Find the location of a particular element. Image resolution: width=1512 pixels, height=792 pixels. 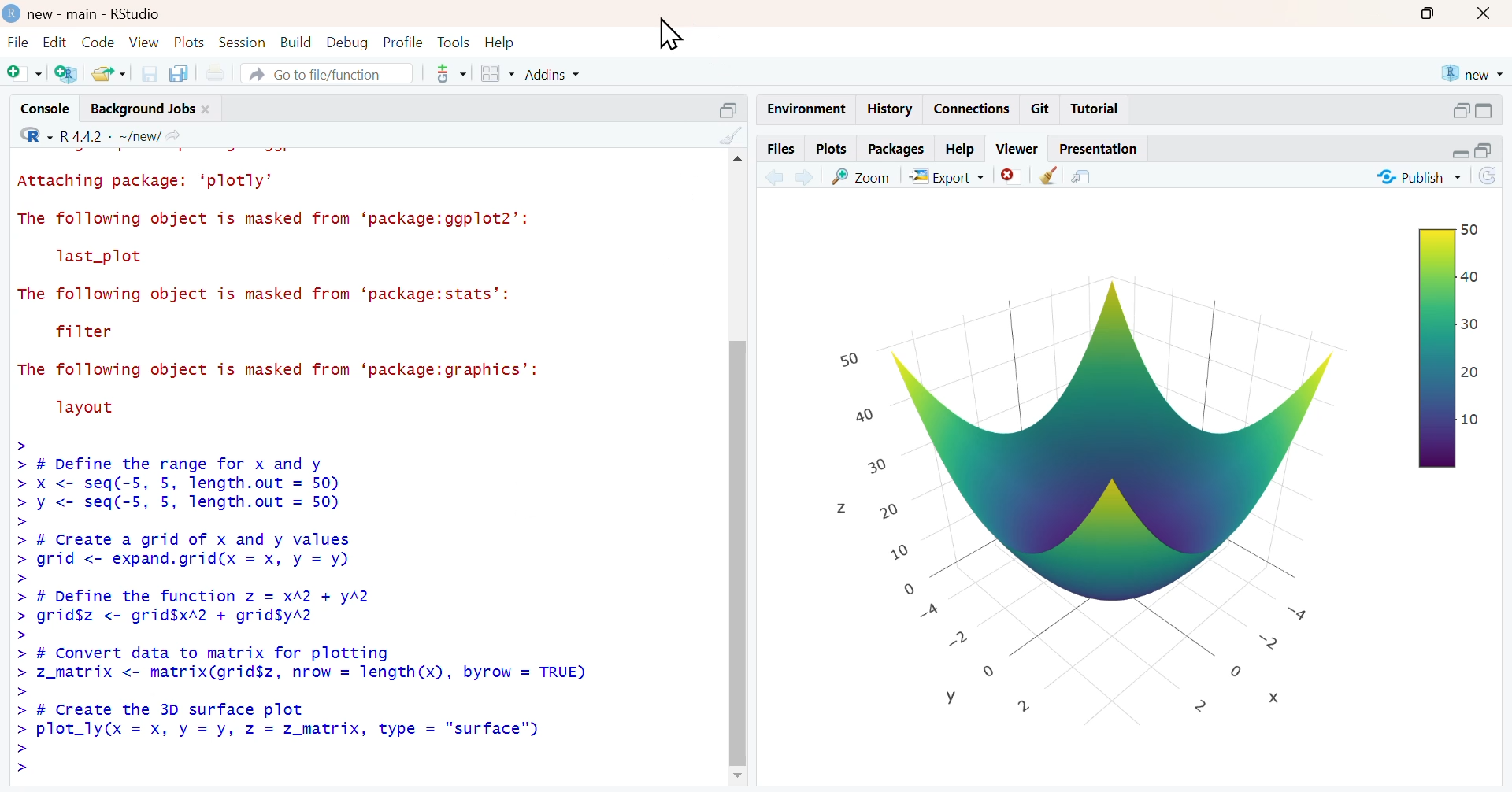

> # Convert data to matrix Tor plotting is located at coordinates (247, 652).